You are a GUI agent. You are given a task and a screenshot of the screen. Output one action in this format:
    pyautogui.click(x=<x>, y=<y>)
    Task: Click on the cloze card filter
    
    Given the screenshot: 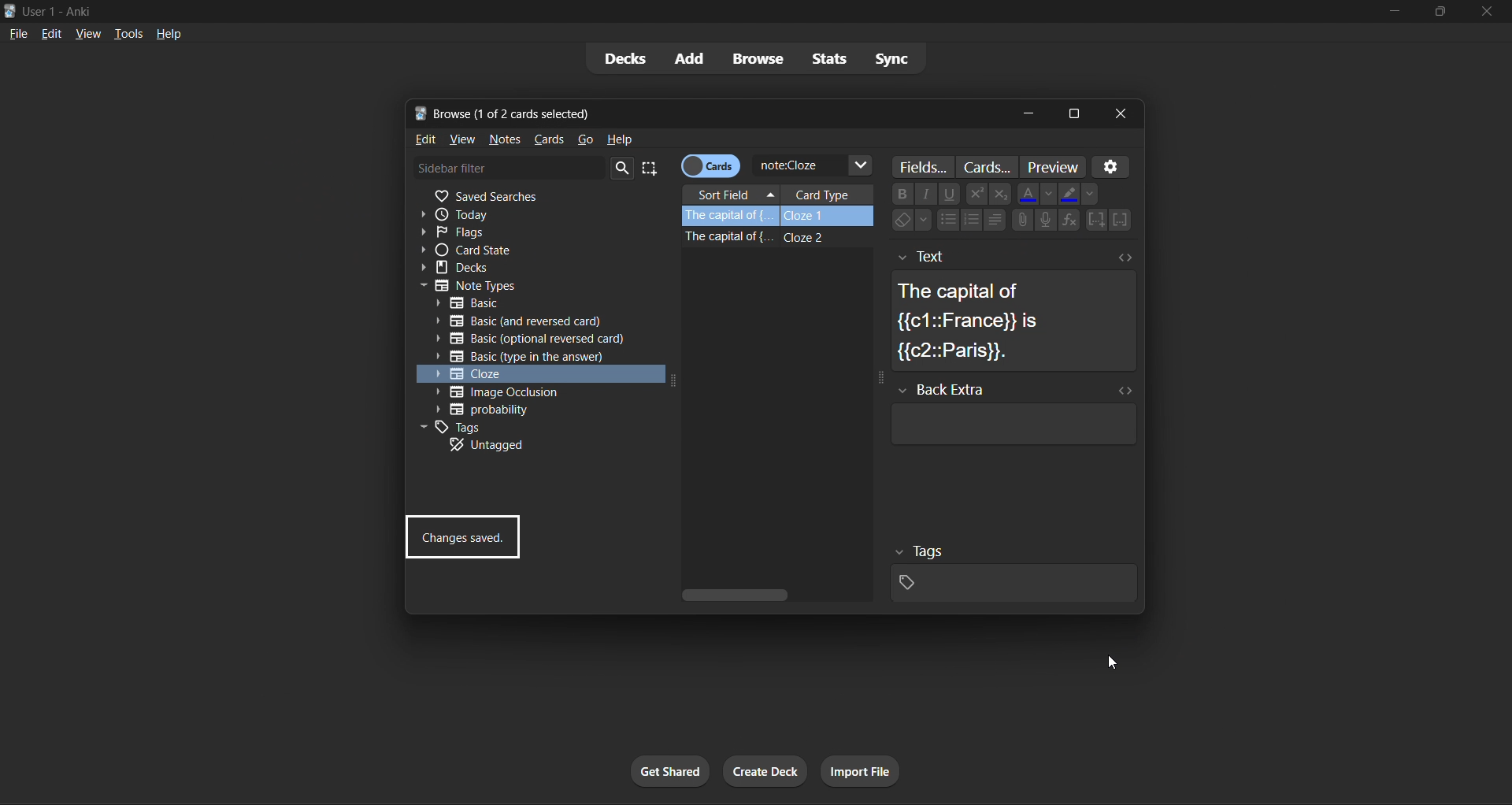 What is the action you would take?
    pyautogui.click(x=532, y=373)
    